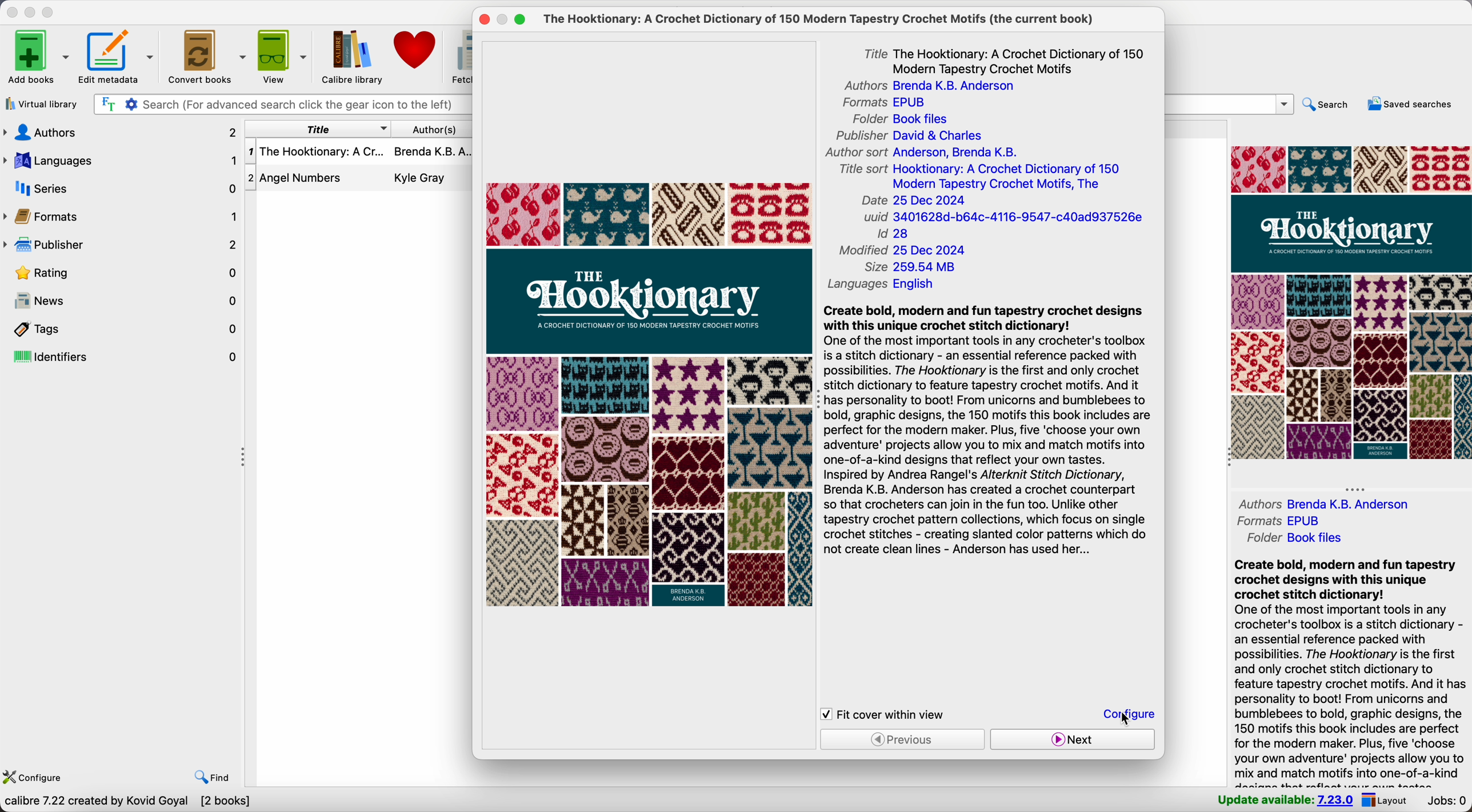 This screenshot has width=1472, height=812. What do you see at coordinates (520, 21) in the screenshot?
I see `maximize` at bounding box center [520, 21].